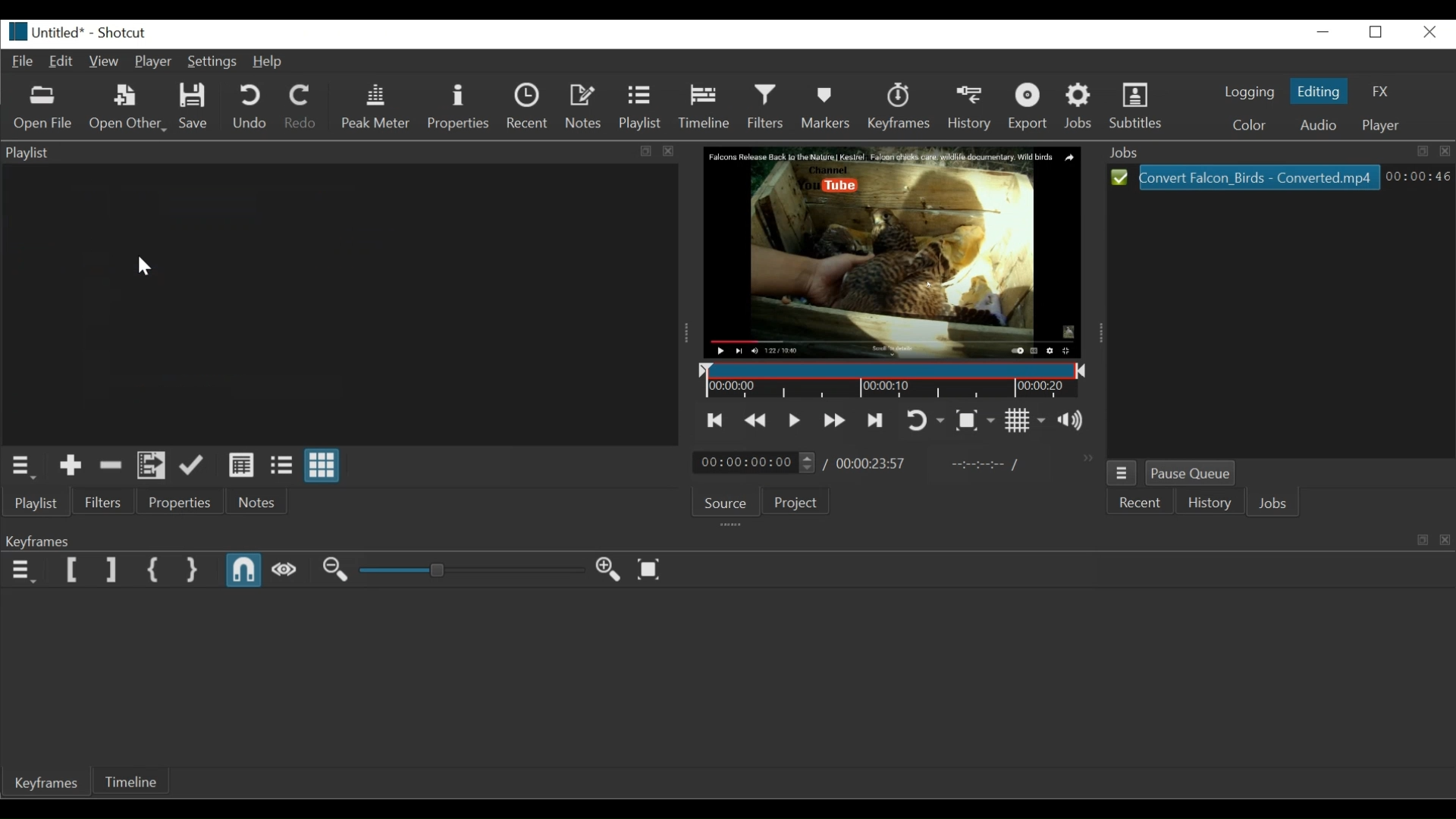 Image resolution: width=1456 pixels, height=819 pixels. Describe the element at coordinates (729, 503) in the screenshot. I see `Source` at that location.